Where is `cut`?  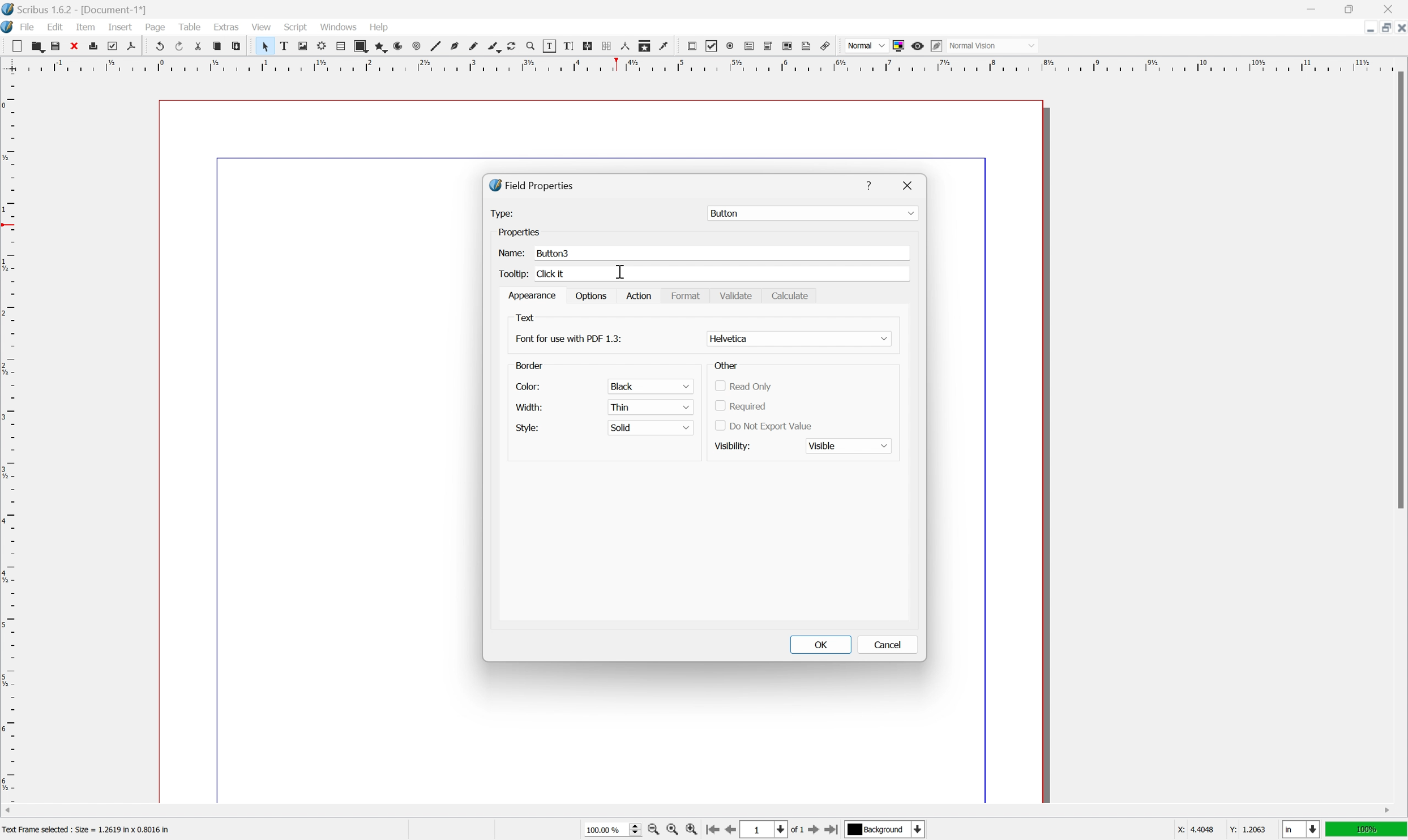
cut is located at coordinates (74, 45).